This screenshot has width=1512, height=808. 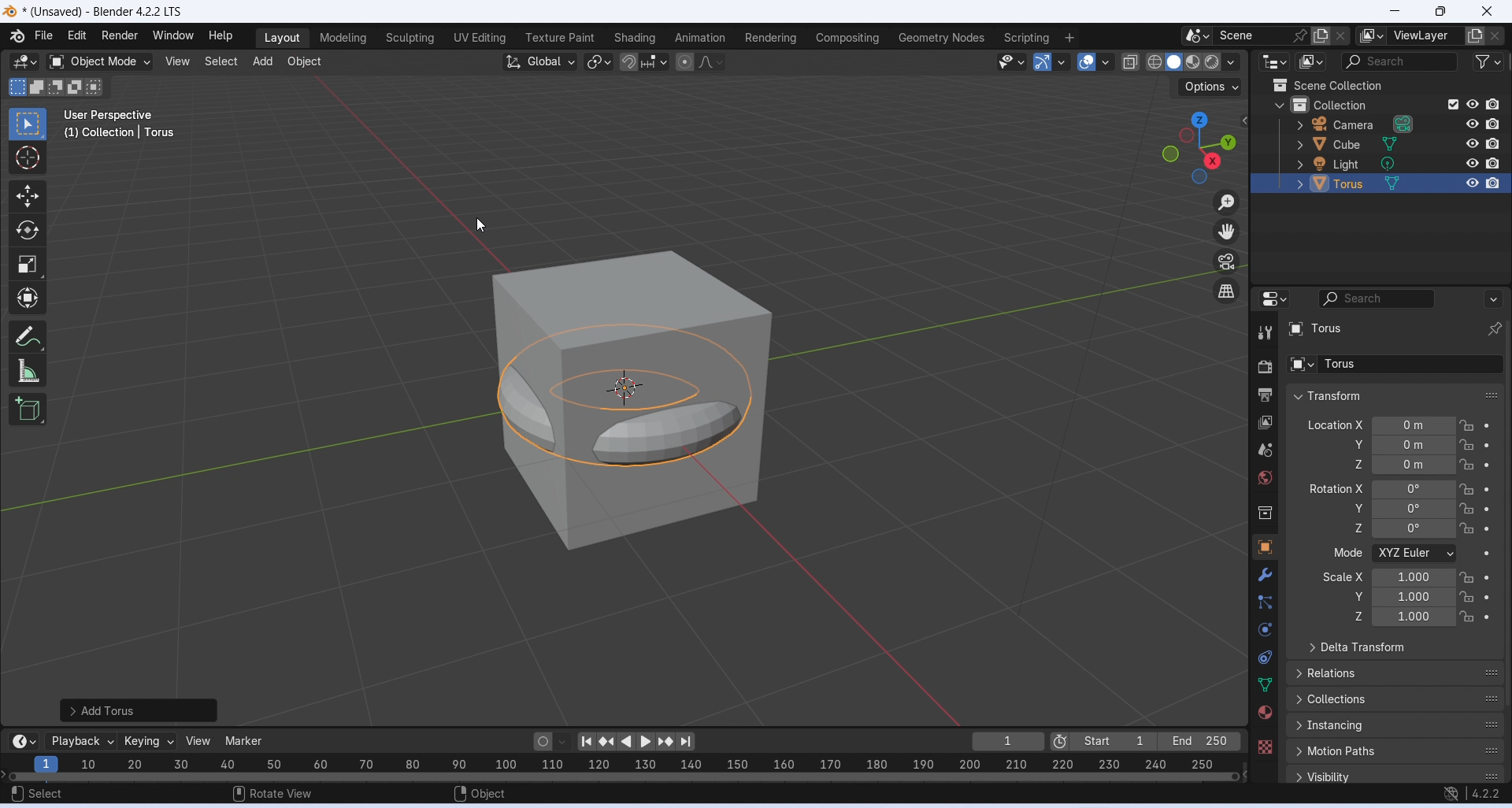 What do you see at coordinates (608, 741) in the screenshot?
I see `Jump to keyframe` at bounding box center [608, 741].